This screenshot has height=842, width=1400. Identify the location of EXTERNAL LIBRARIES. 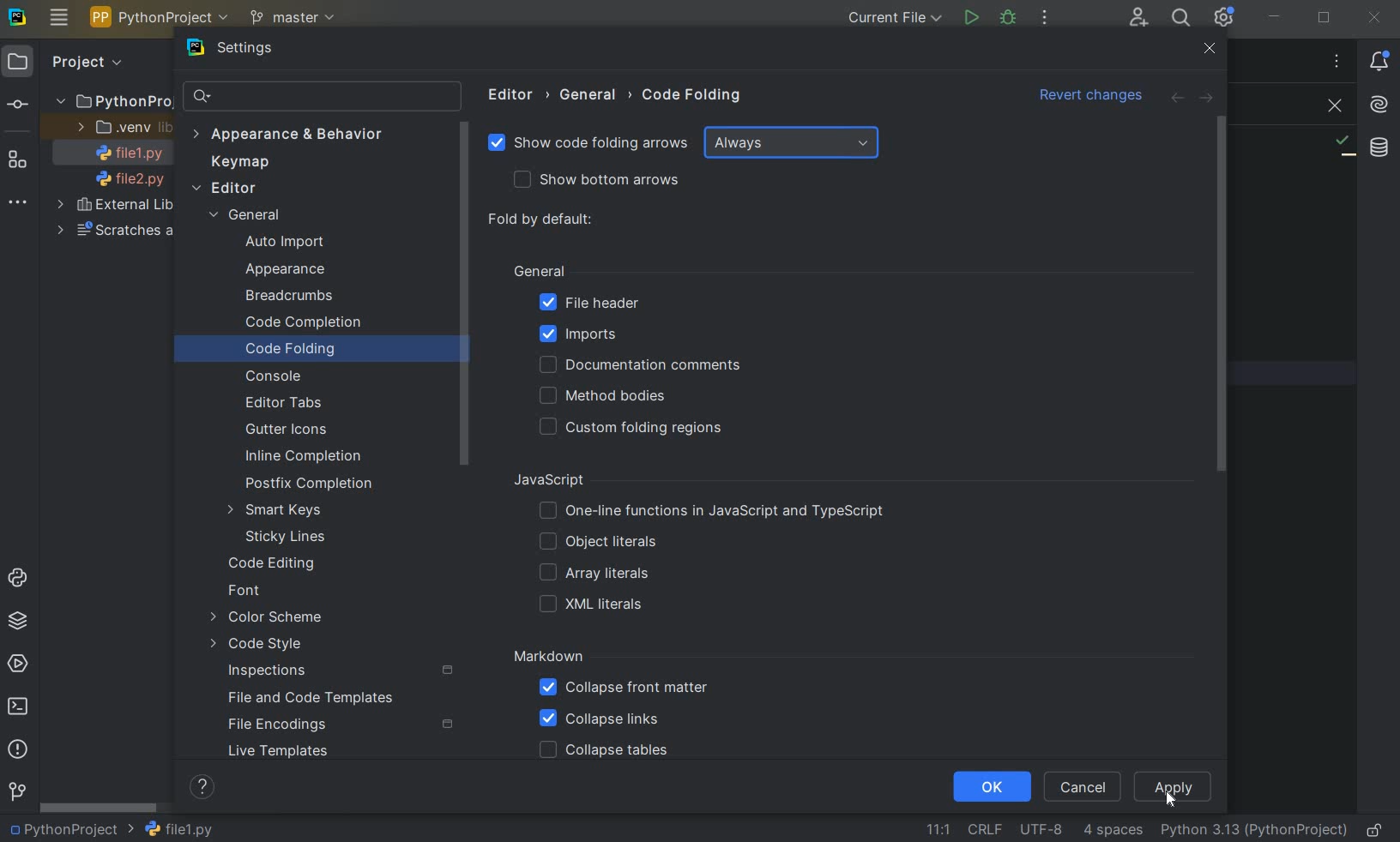
(117, 207).